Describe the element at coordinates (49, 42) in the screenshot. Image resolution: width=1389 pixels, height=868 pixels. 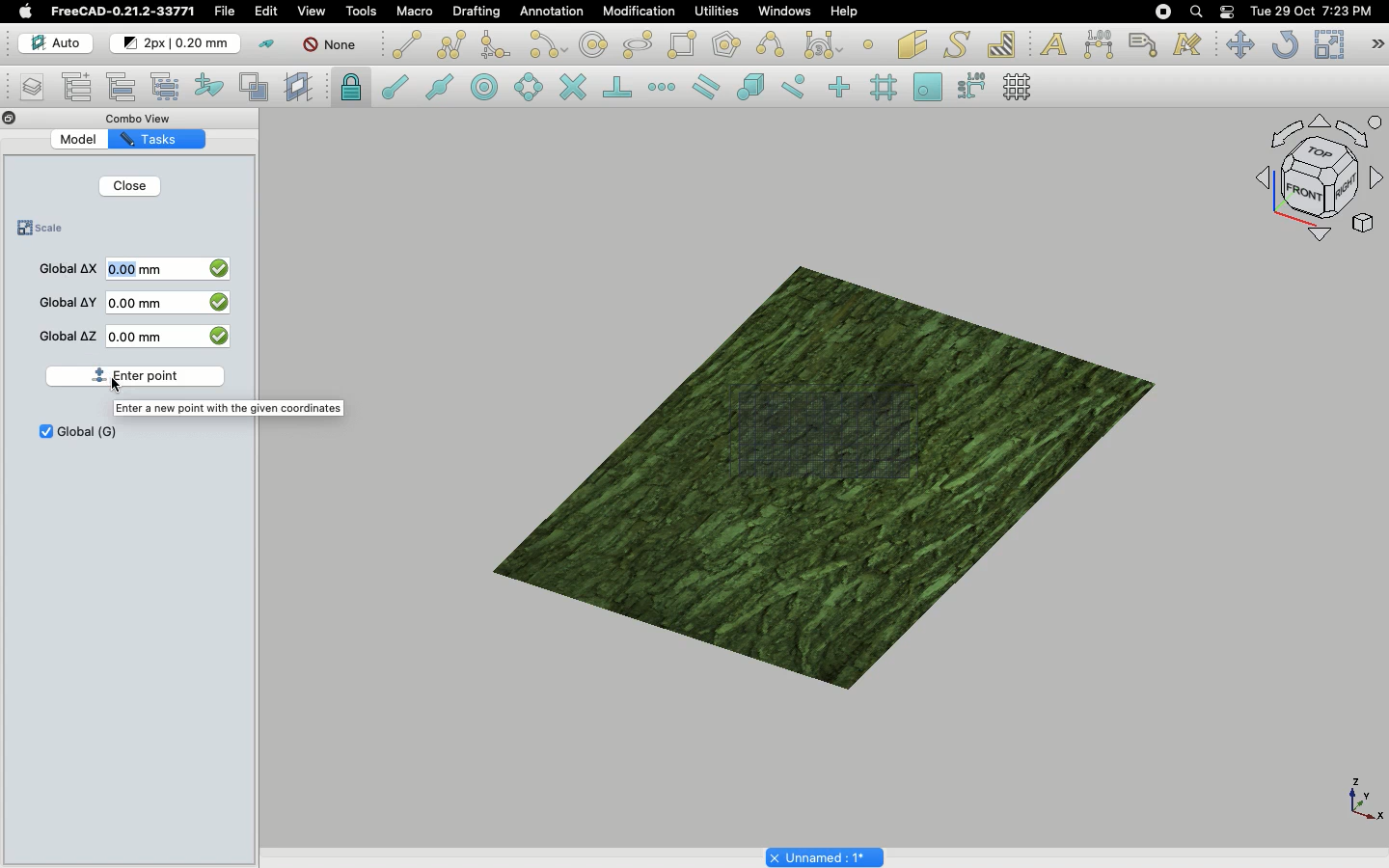
I see `Auto` at that location.